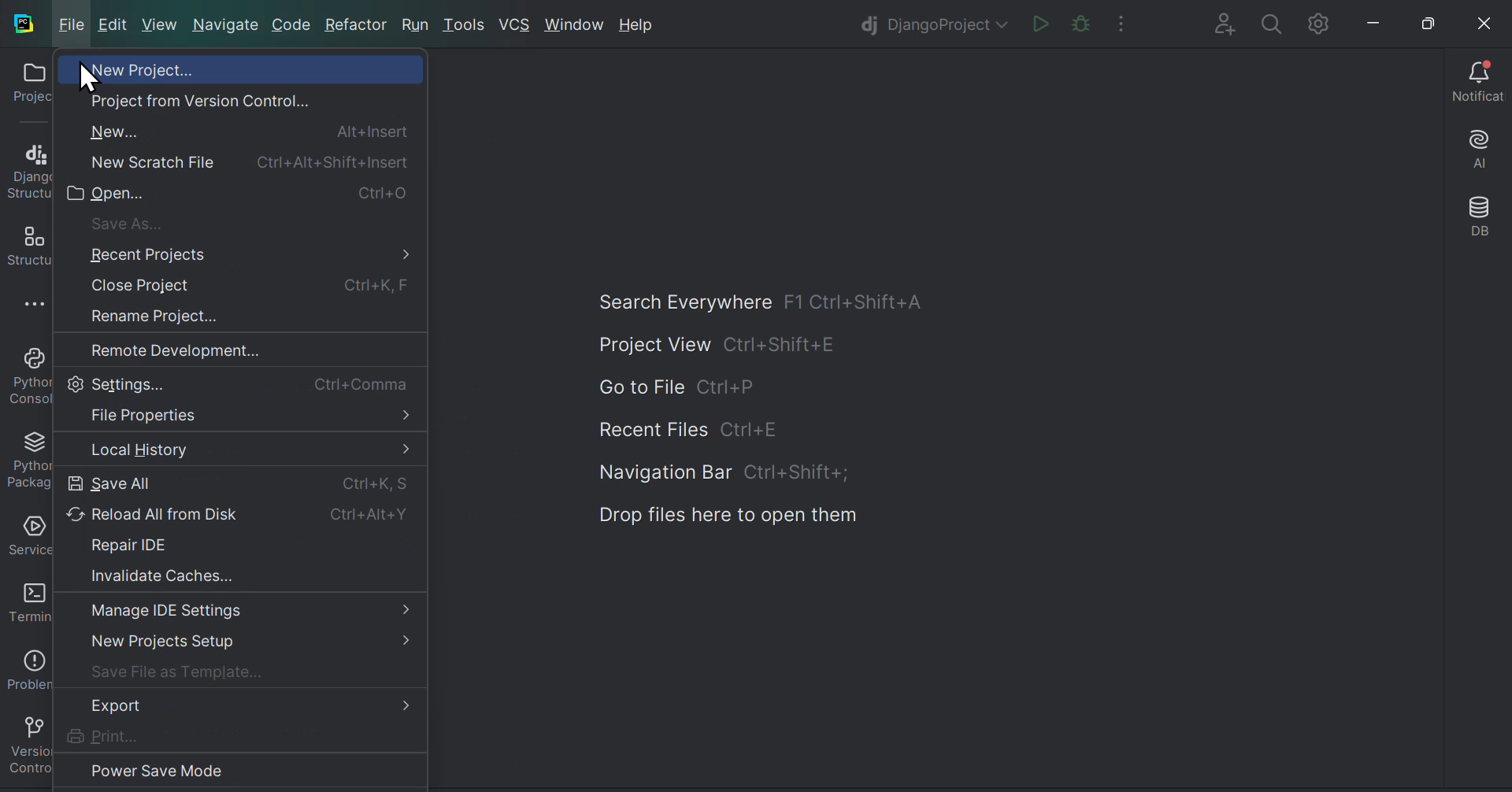 Image resolution: width=1512 pixels, height=792 pixels. Describe the element at coordinates (228, 673) in the screenshot. I see `save file as template...` at that location.